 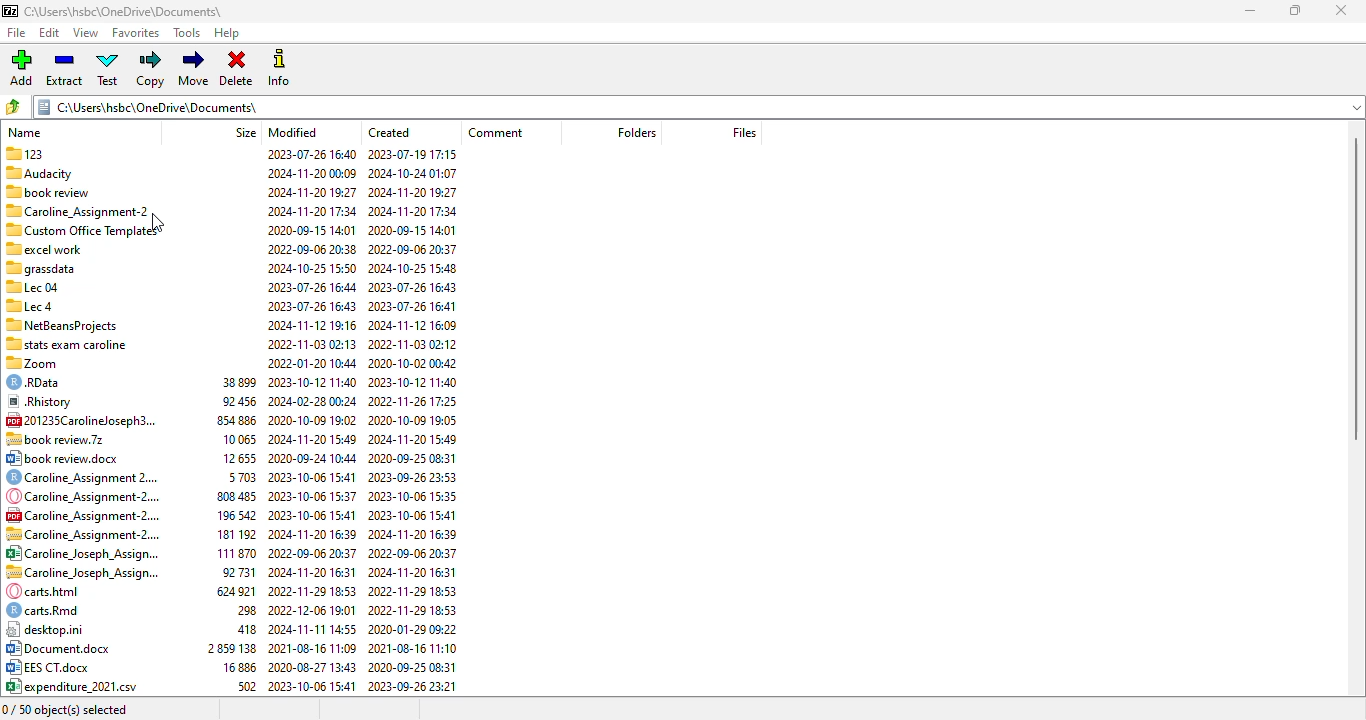 I want to click on cartsRmd., so click(x=45, y=612).